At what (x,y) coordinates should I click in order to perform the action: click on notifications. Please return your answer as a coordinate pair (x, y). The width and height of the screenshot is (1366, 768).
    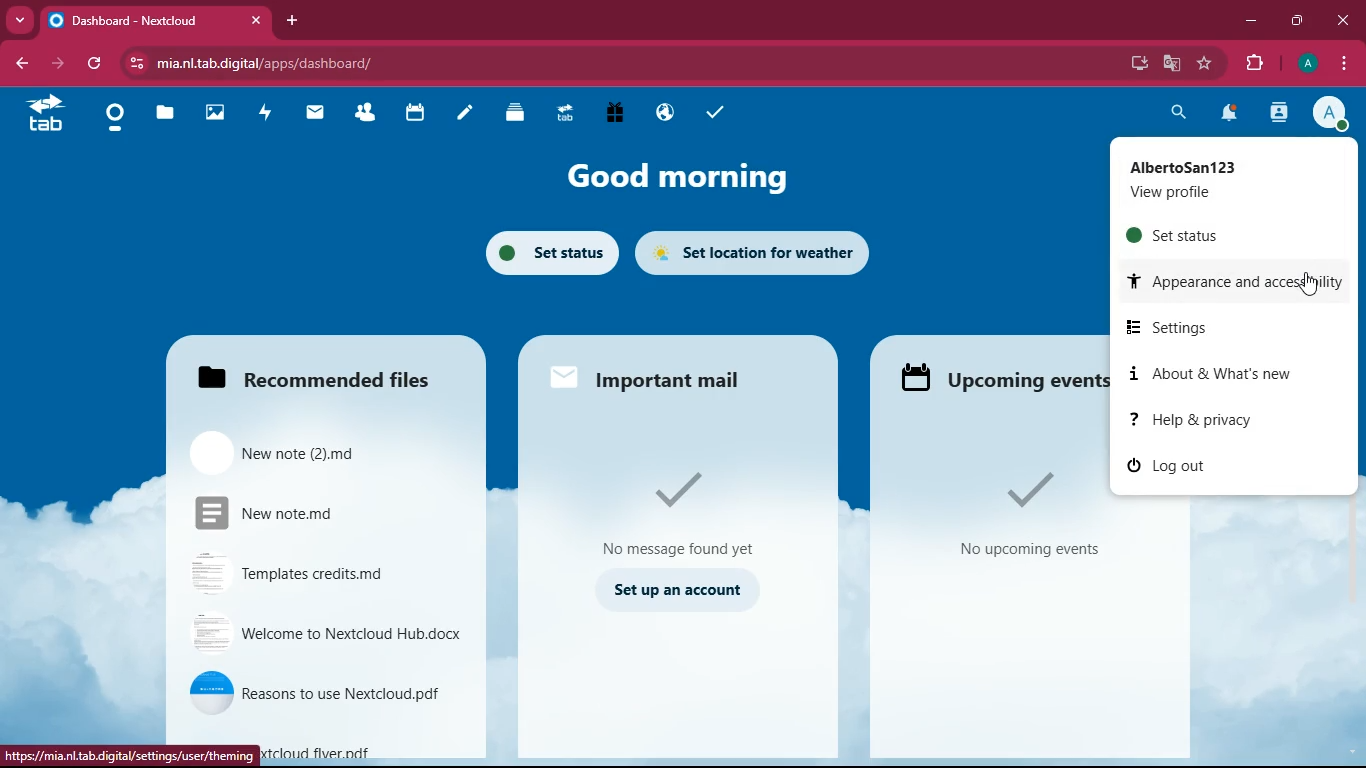
    Looking at the image, I should click on (1232, 114).